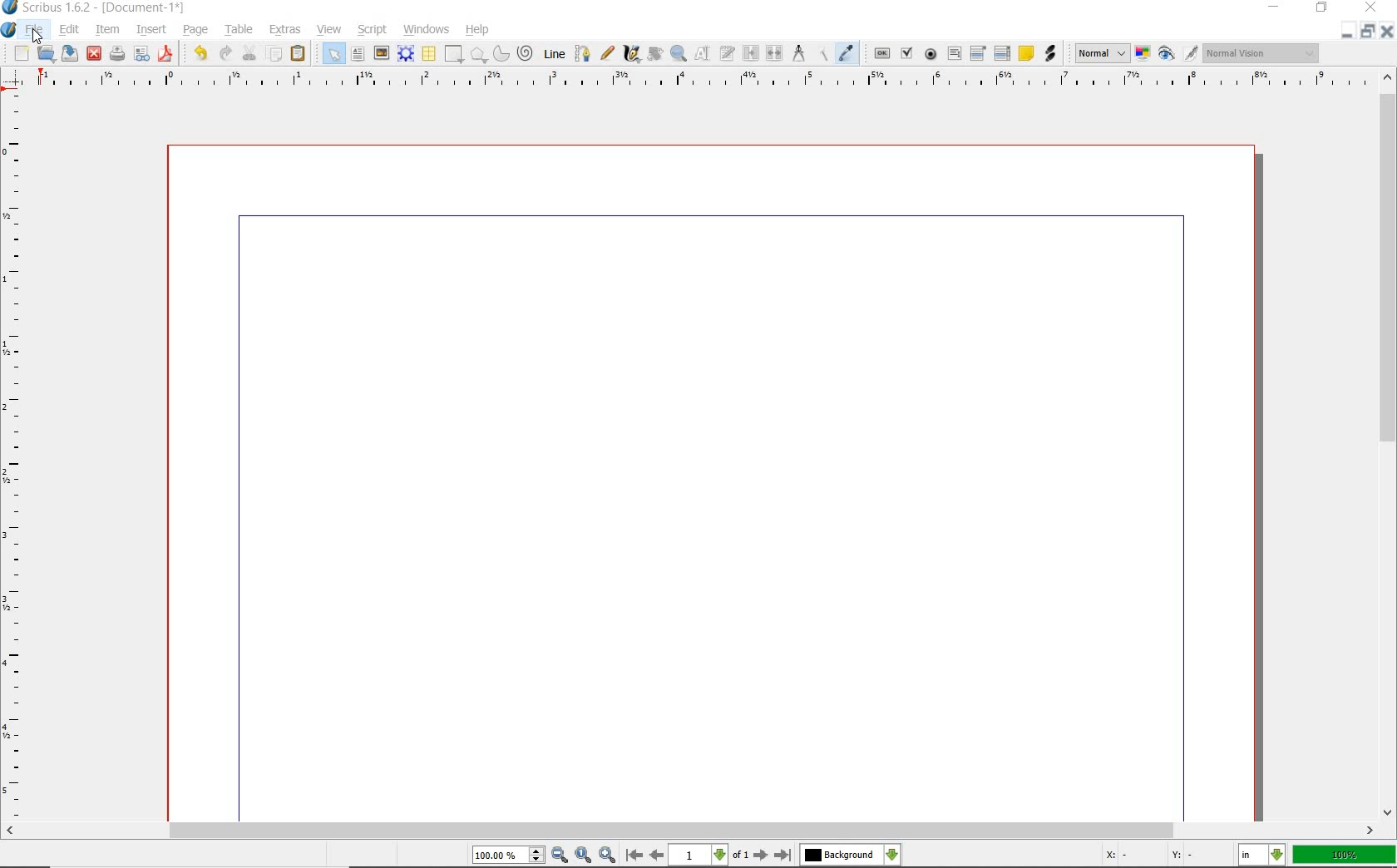  Describe the element at coordinates (9, 31) in the screenshot. I see `system logo` at that location.